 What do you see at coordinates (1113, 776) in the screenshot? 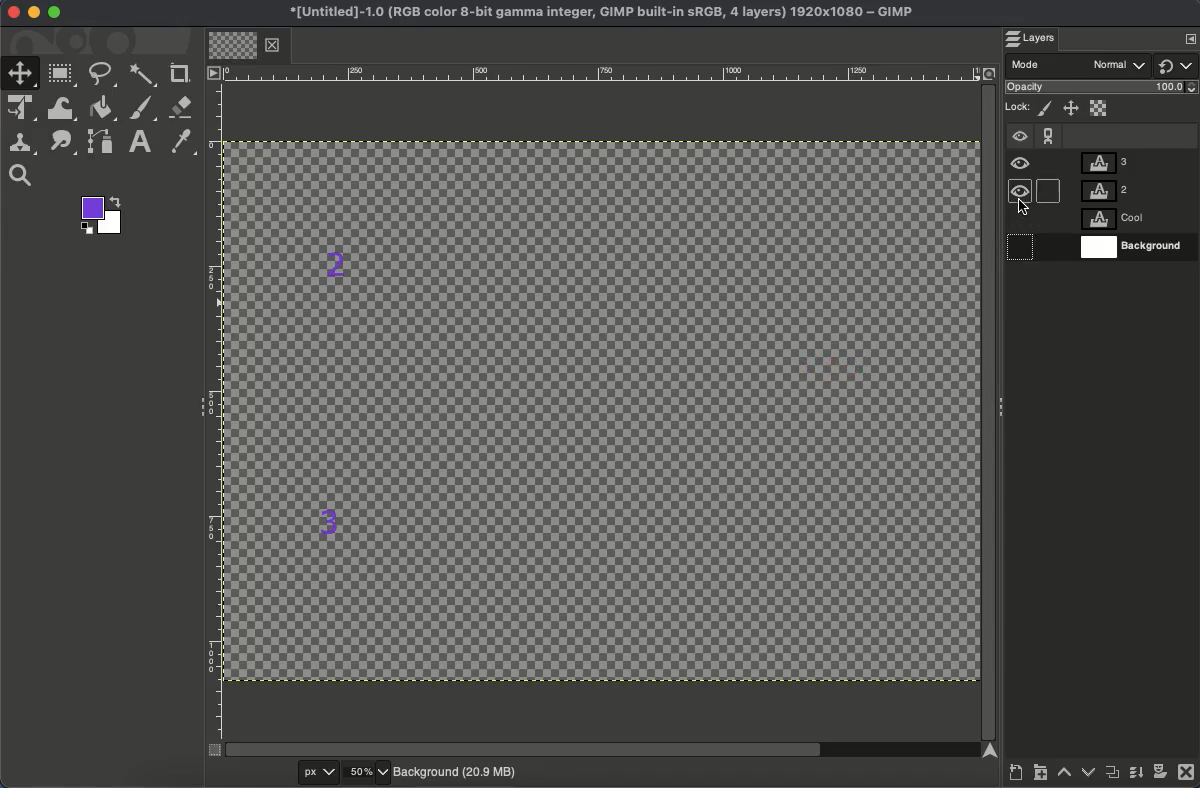
I see `Duplicate` at bounding box center [1113, 776].